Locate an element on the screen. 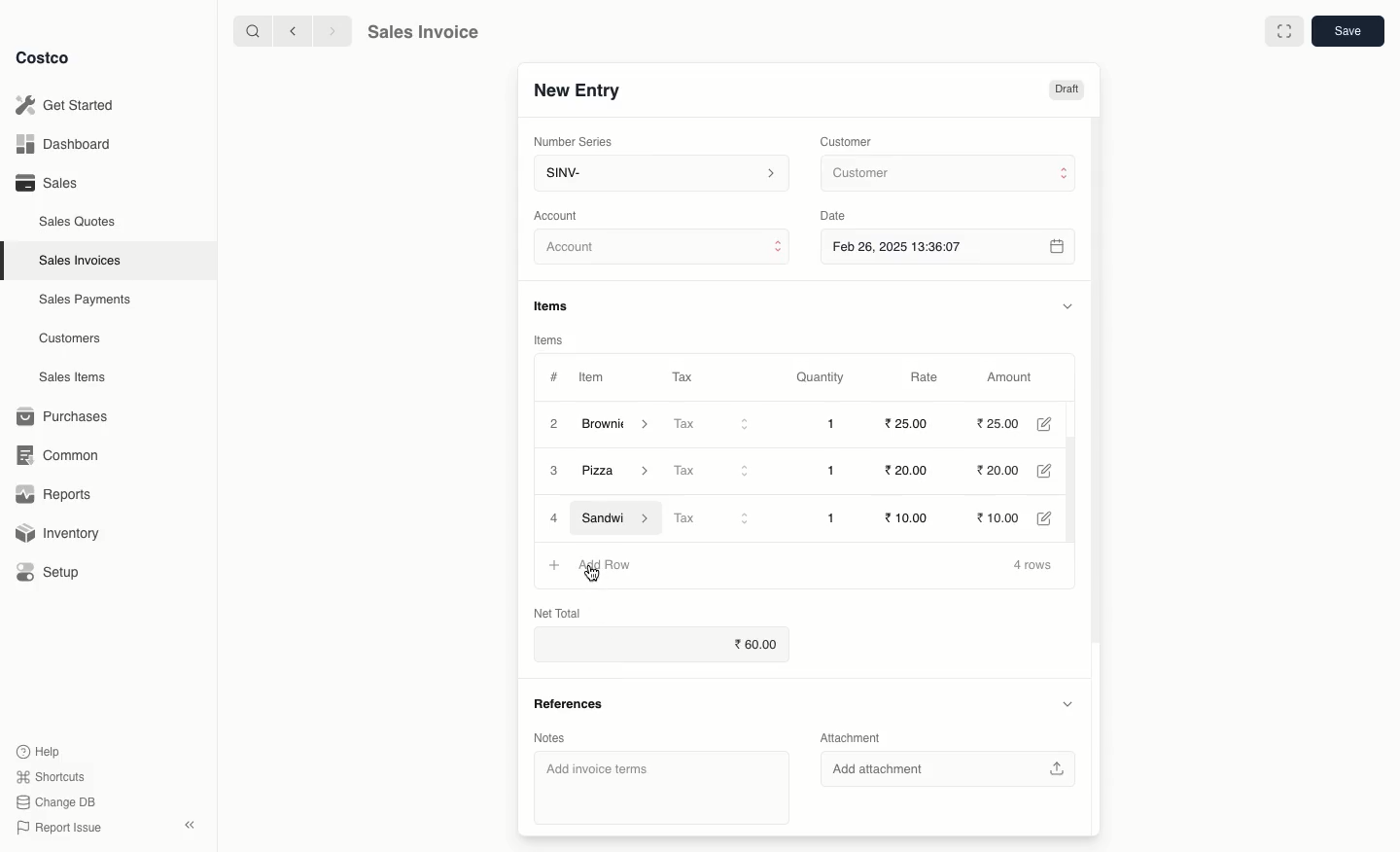 This screenshot has width=1400, height=852. ‘Add invoice terms is located at coordinates (654, 787).